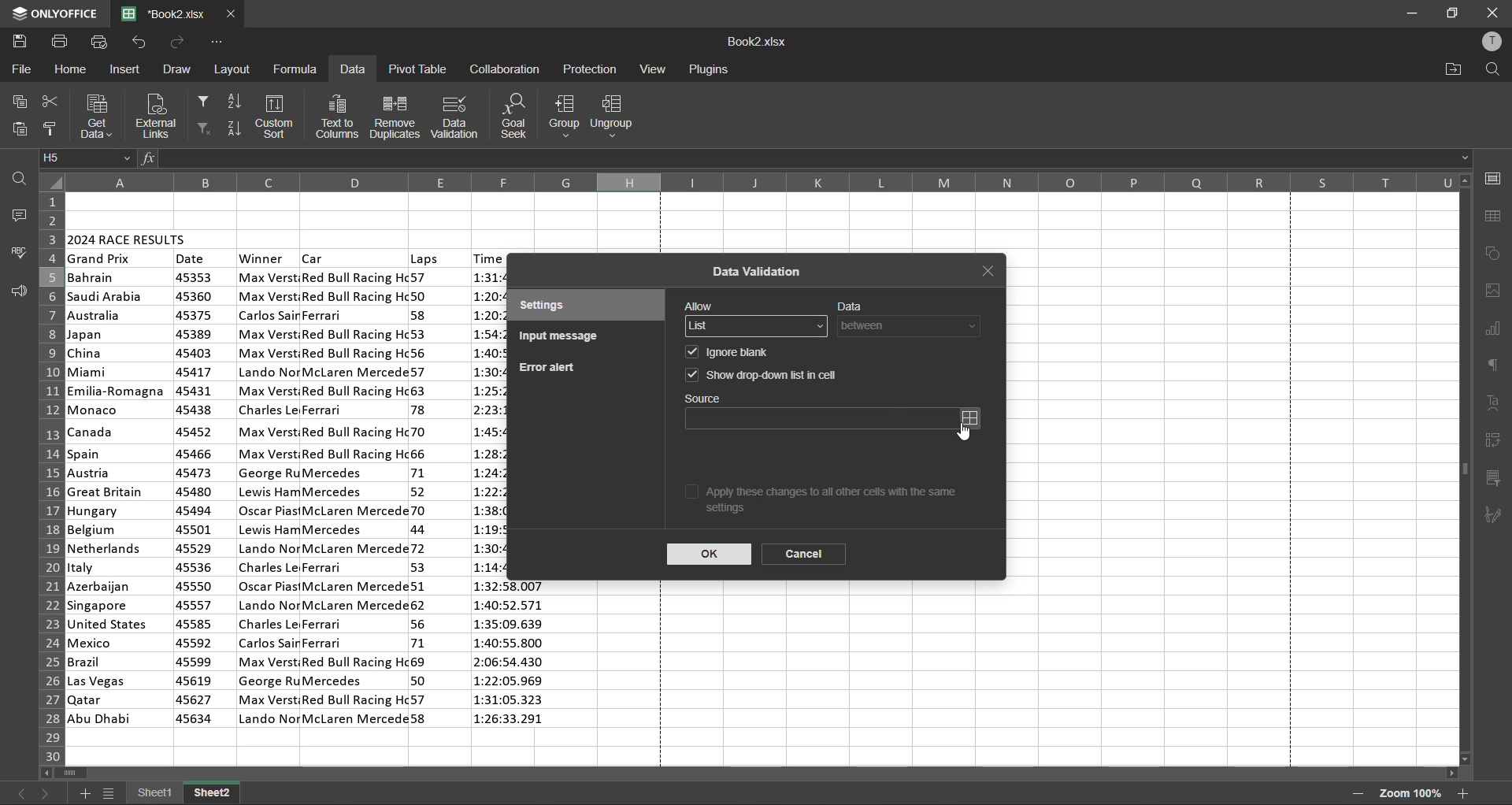  Describe the element at coordinates (71, 71) in the screenshot. I see `home` at that location.